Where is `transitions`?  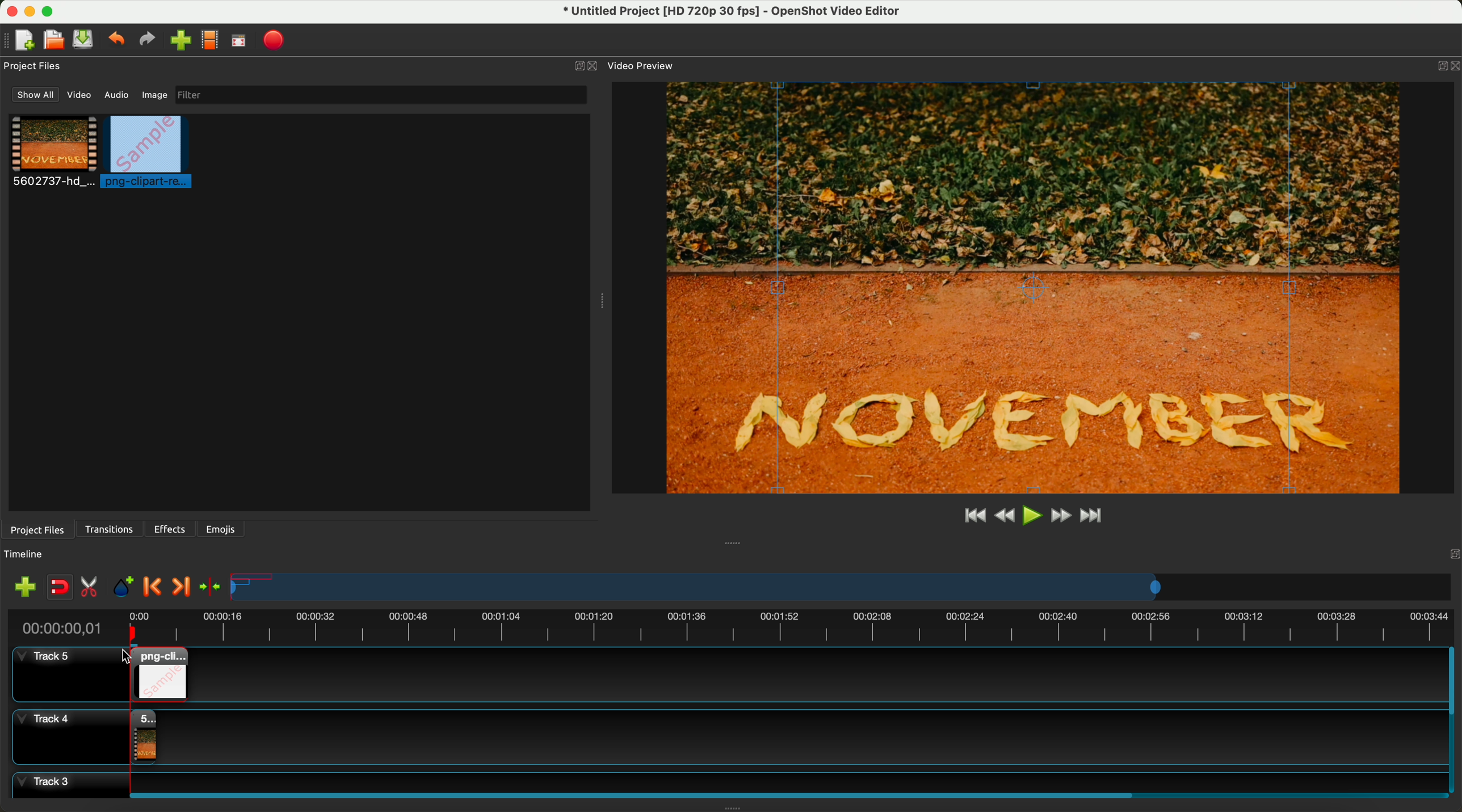 transitions is located at coordinates (111, 529).